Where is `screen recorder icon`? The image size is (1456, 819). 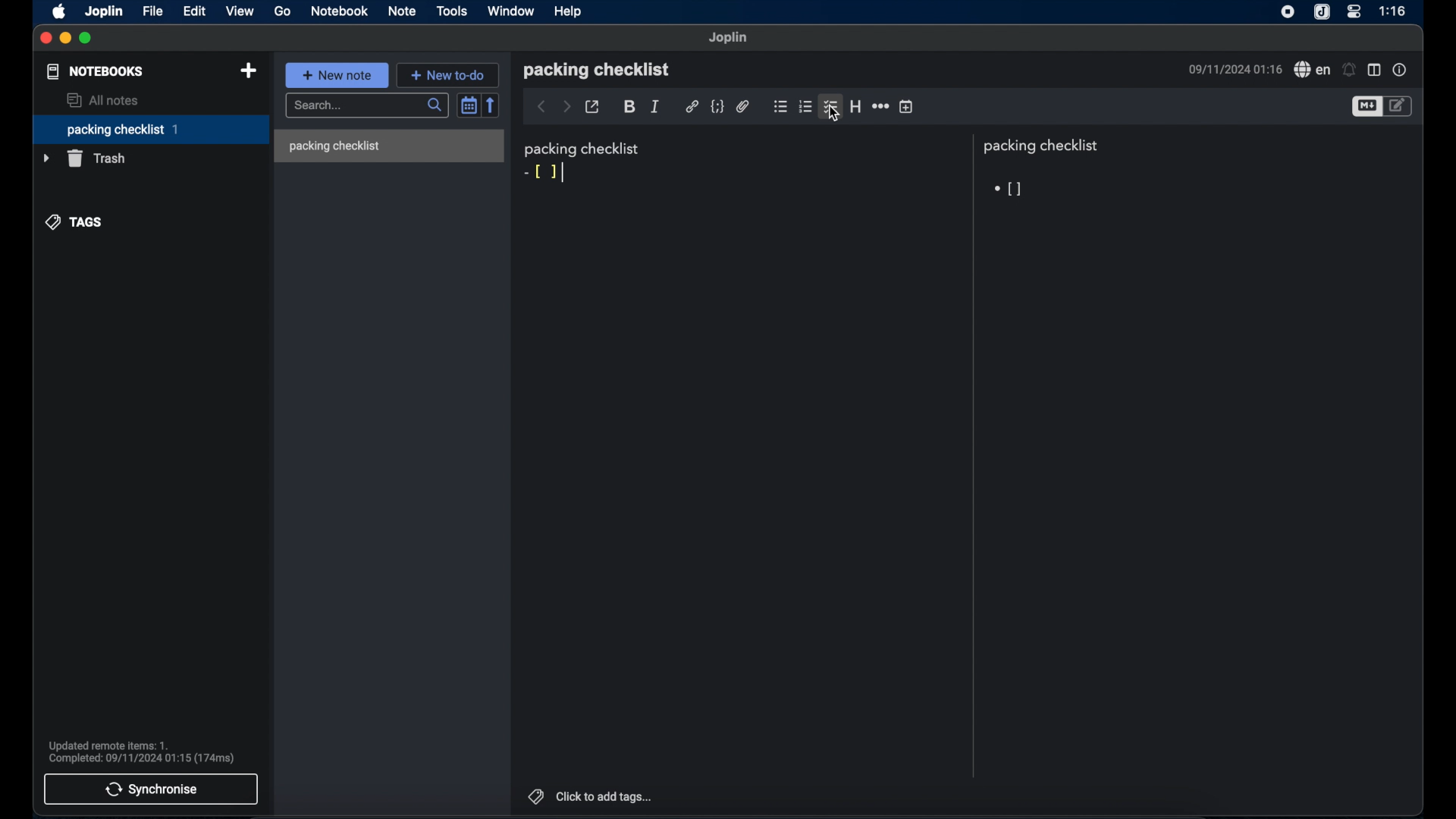 screen recorder icon is located at coordinates (1288, 13).